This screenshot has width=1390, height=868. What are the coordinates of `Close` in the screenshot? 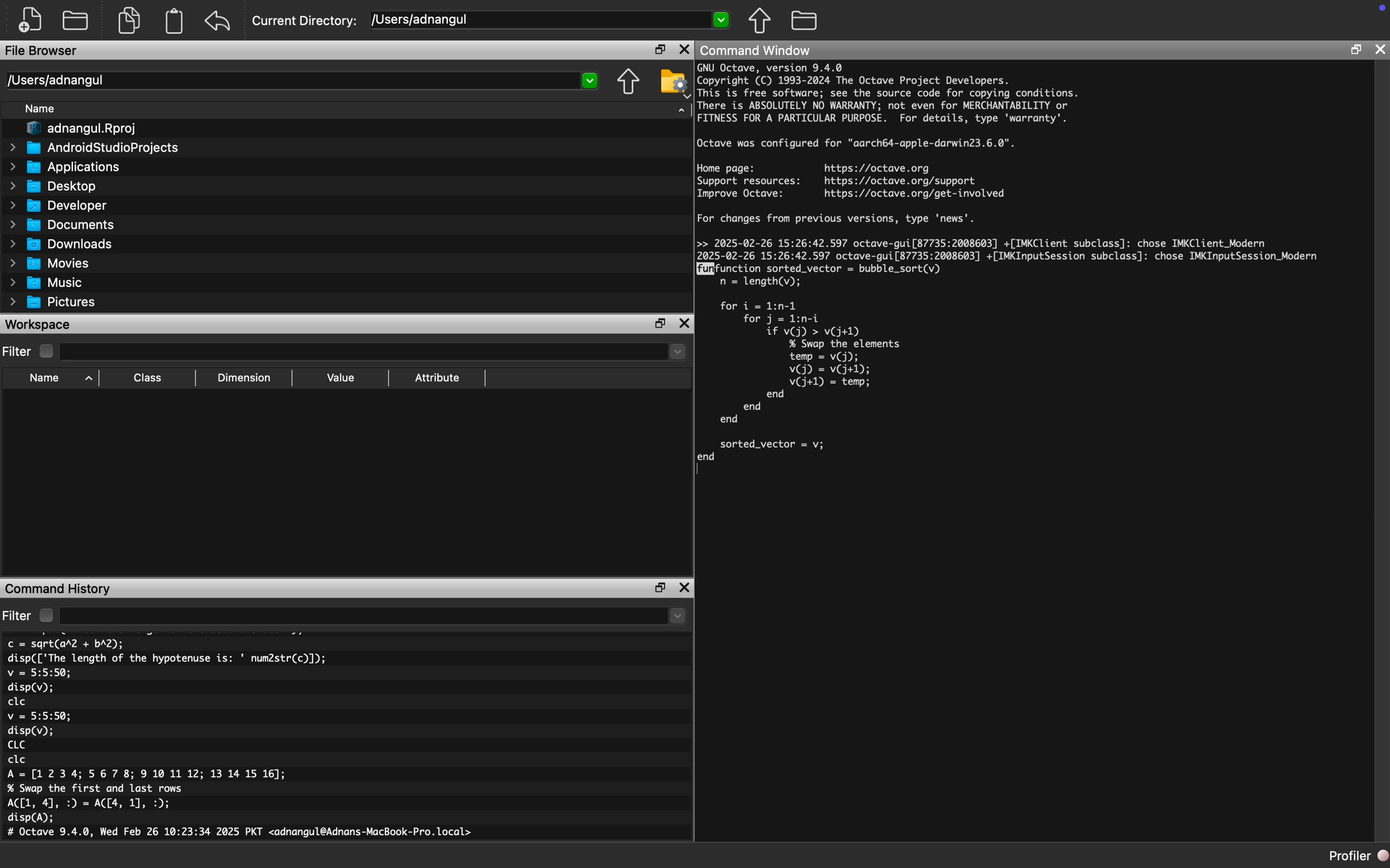 It's located at (685, 588).